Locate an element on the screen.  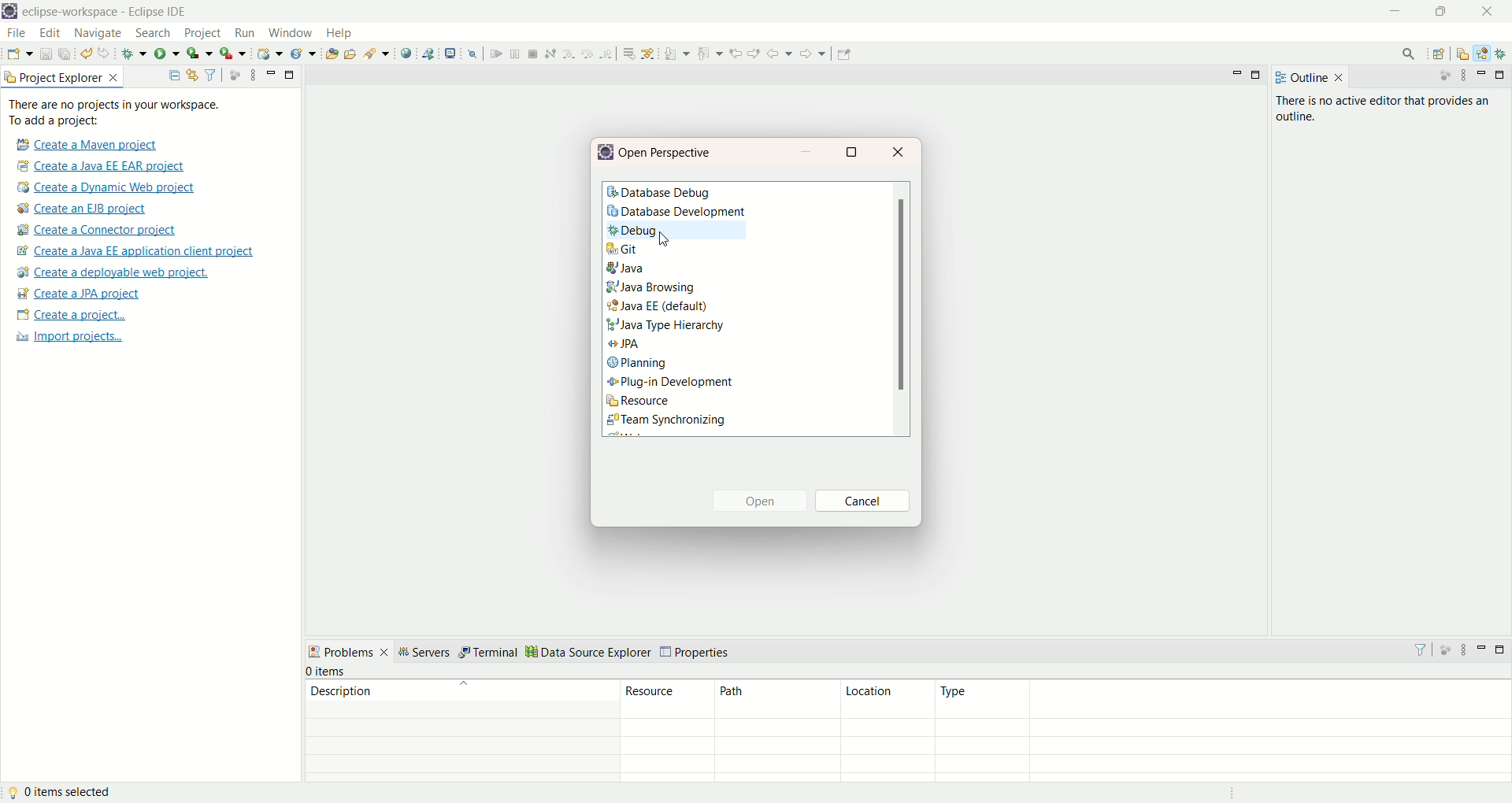
create a Java EE EAR project is located at coordinates (103, 165).